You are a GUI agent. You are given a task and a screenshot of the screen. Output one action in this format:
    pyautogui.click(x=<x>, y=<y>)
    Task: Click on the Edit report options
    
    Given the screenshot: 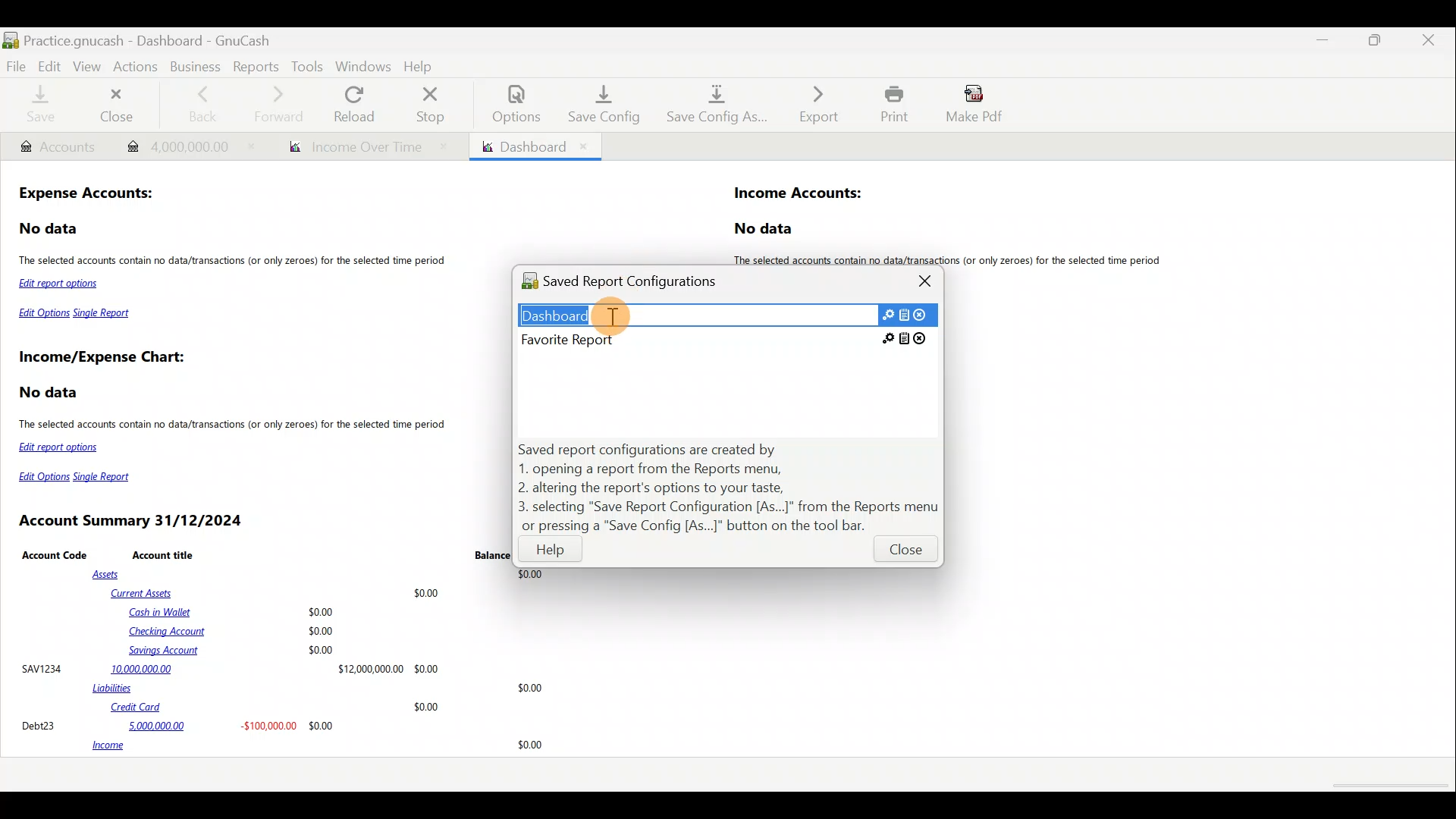 What is the action you would take?
    pyautogui.click(x=62, y=285)
    